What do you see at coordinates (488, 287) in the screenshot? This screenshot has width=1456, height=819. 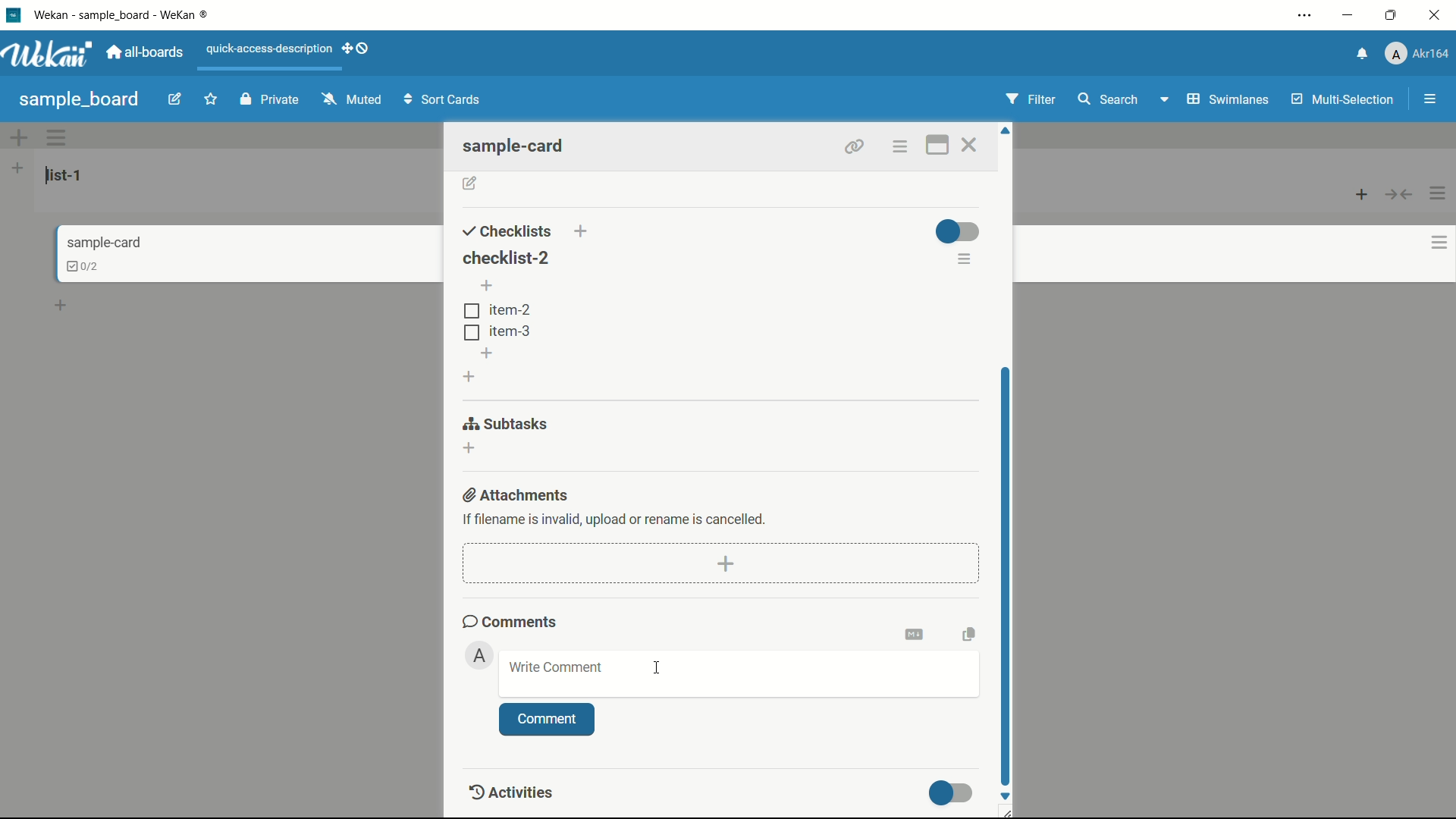 I see `add item` at bounding box center [488, 287].